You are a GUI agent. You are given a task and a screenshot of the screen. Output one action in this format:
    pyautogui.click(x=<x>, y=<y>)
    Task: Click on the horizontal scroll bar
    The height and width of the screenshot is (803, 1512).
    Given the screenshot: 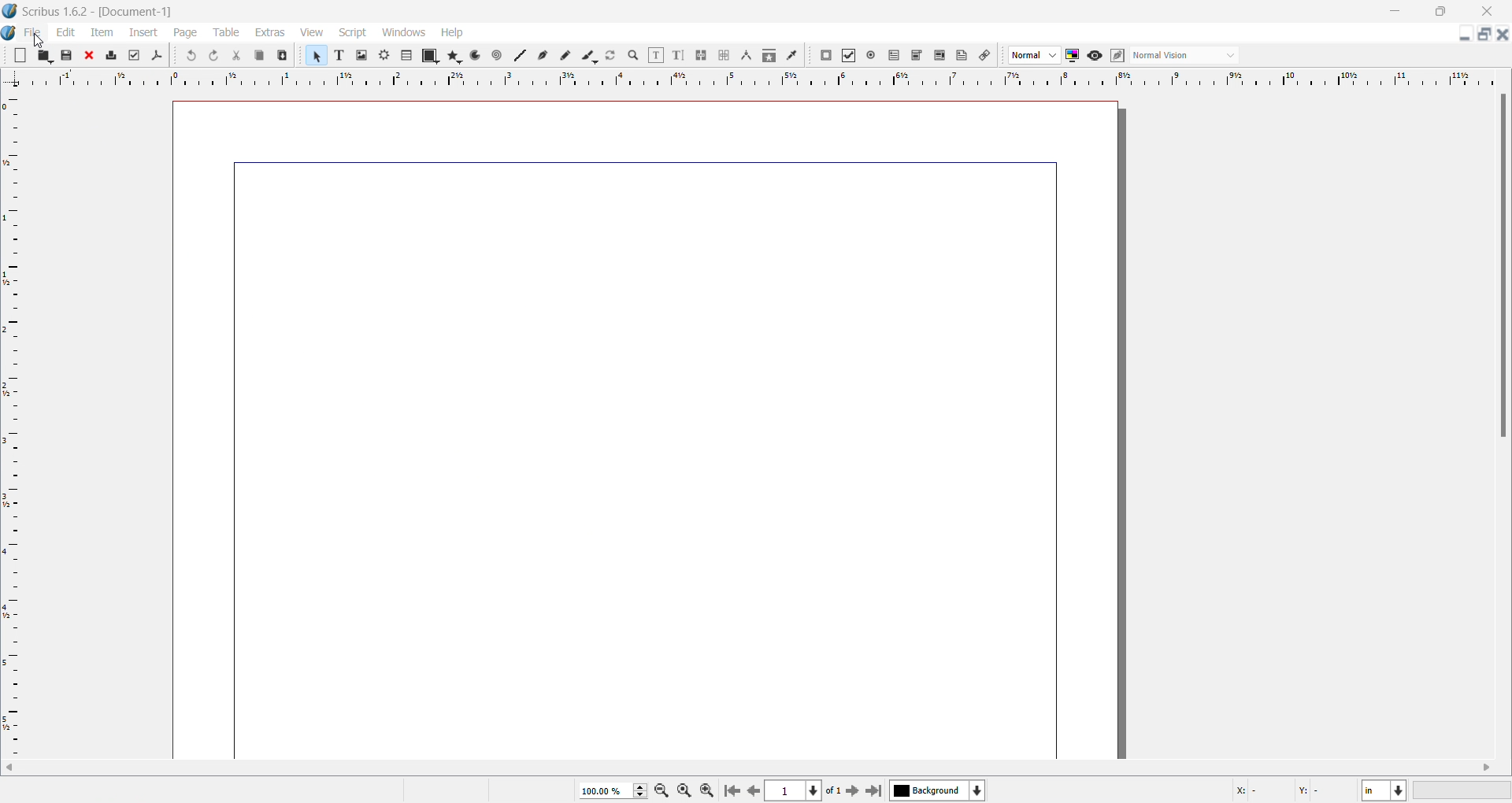 What is the action you would take?
    pyautogui.click(x=1499, y=268)
    